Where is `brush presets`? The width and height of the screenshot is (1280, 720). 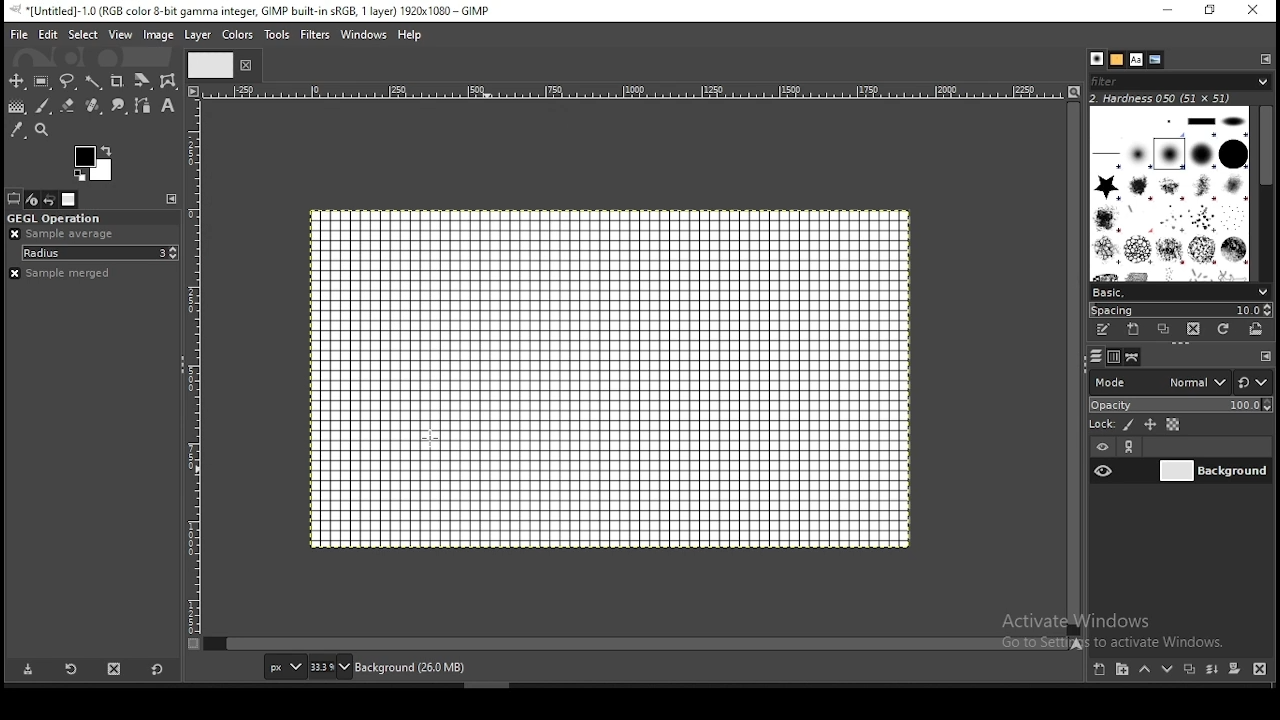 brush presets is located at coordinates (1180, 293).